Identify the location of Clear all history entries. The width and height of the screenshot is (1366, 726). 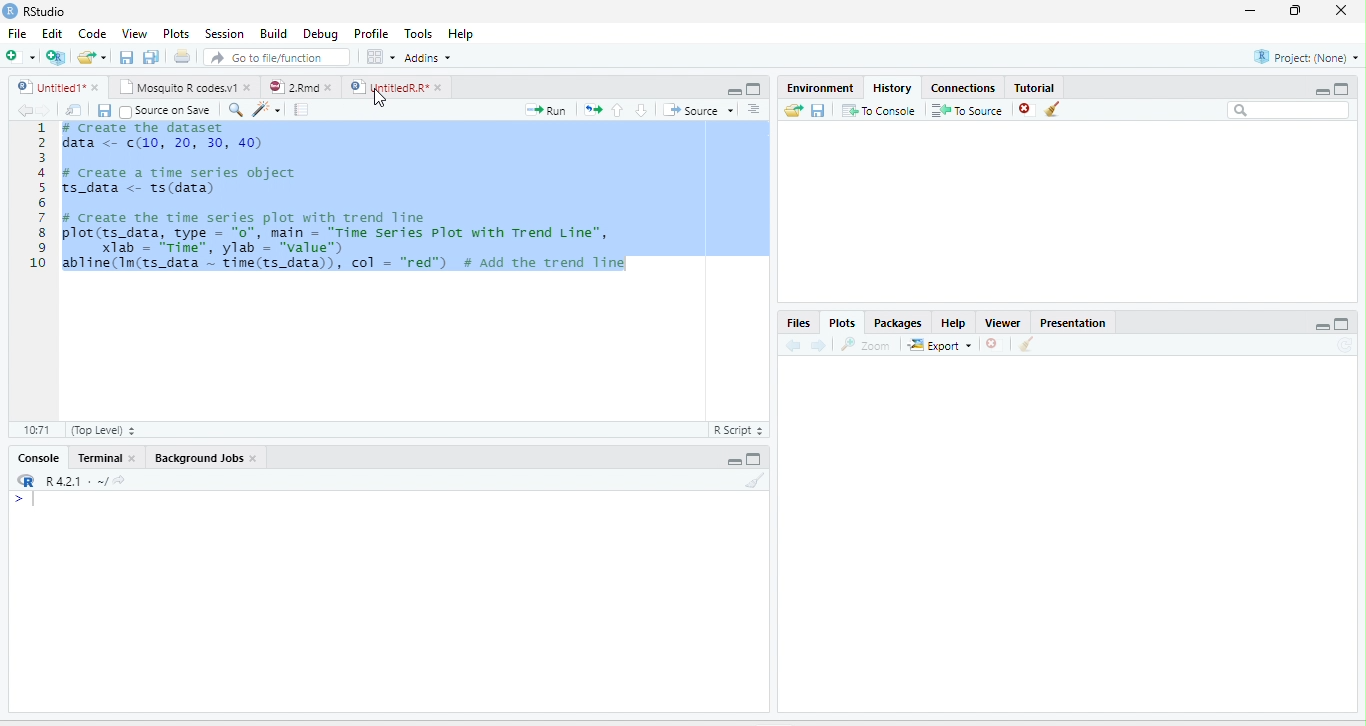
(1053, 109).